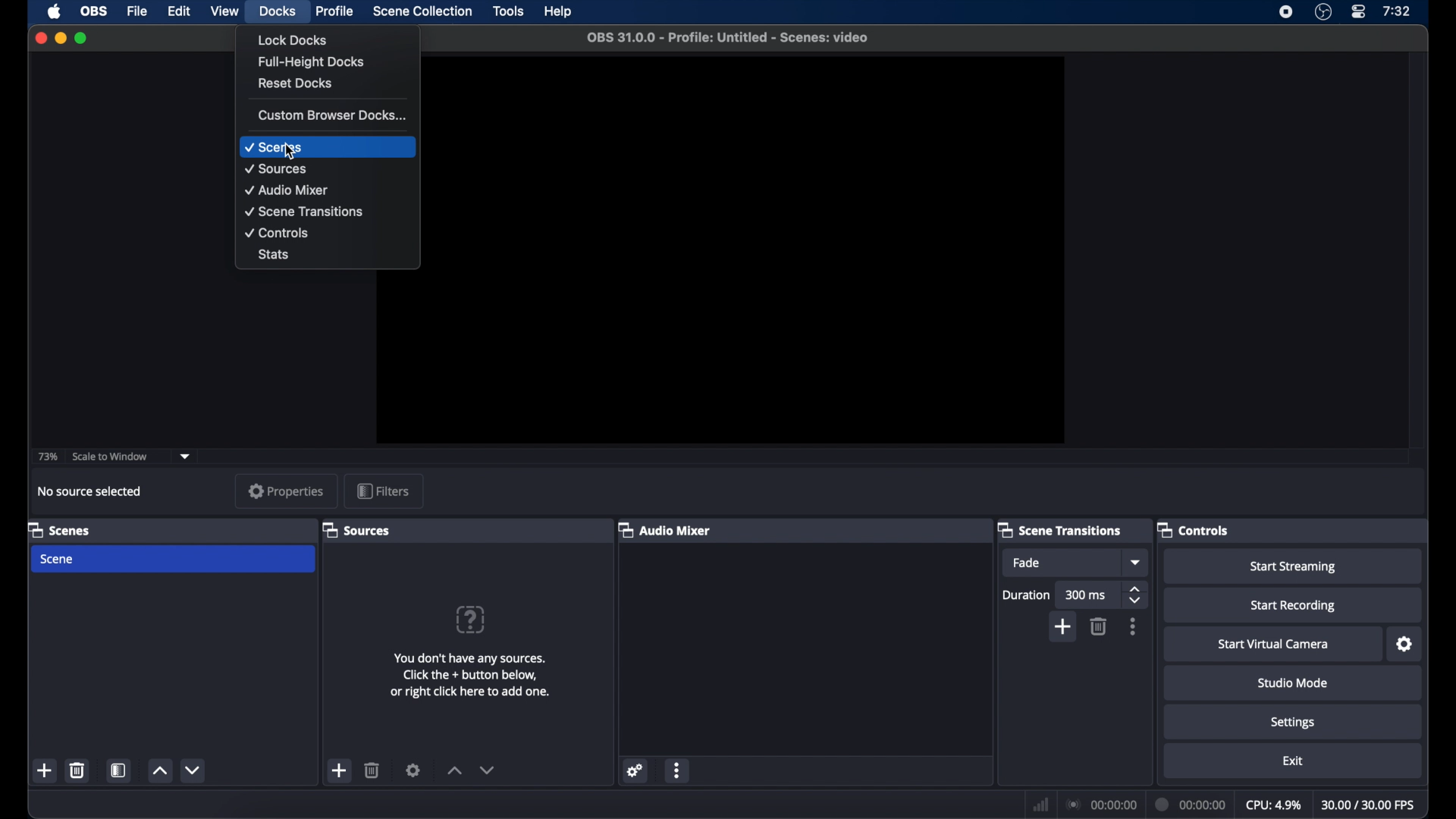 The height and width of the screenshot is (819, 1456). What do you see at coordinates (1294, 761) in the screenshot?
I see `exit` at bounding box center [1294, 761].